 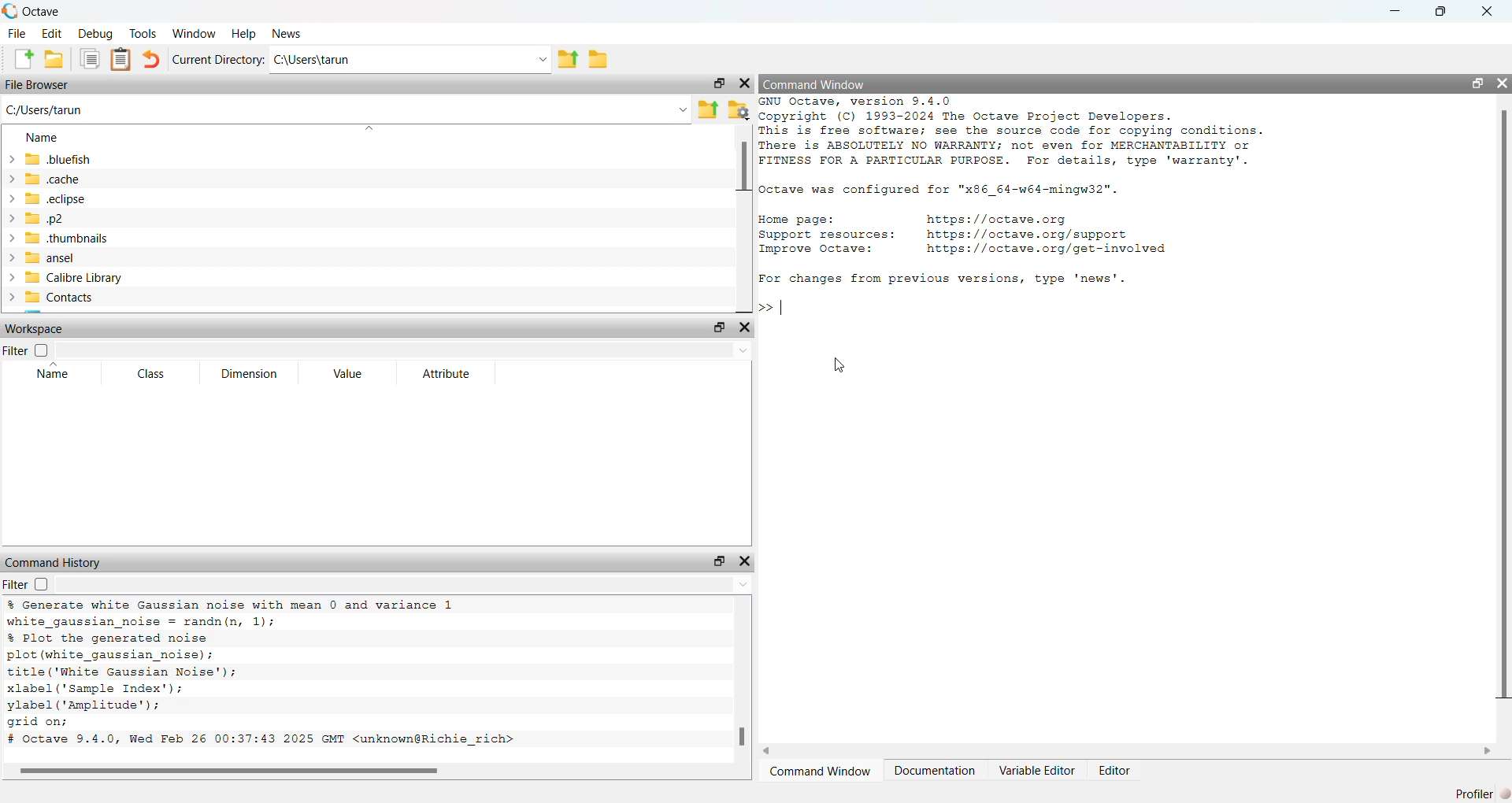 What do you see at coordinates (96, 34) in the screenshot?
I see `debug` at bounding box center [96, 34].